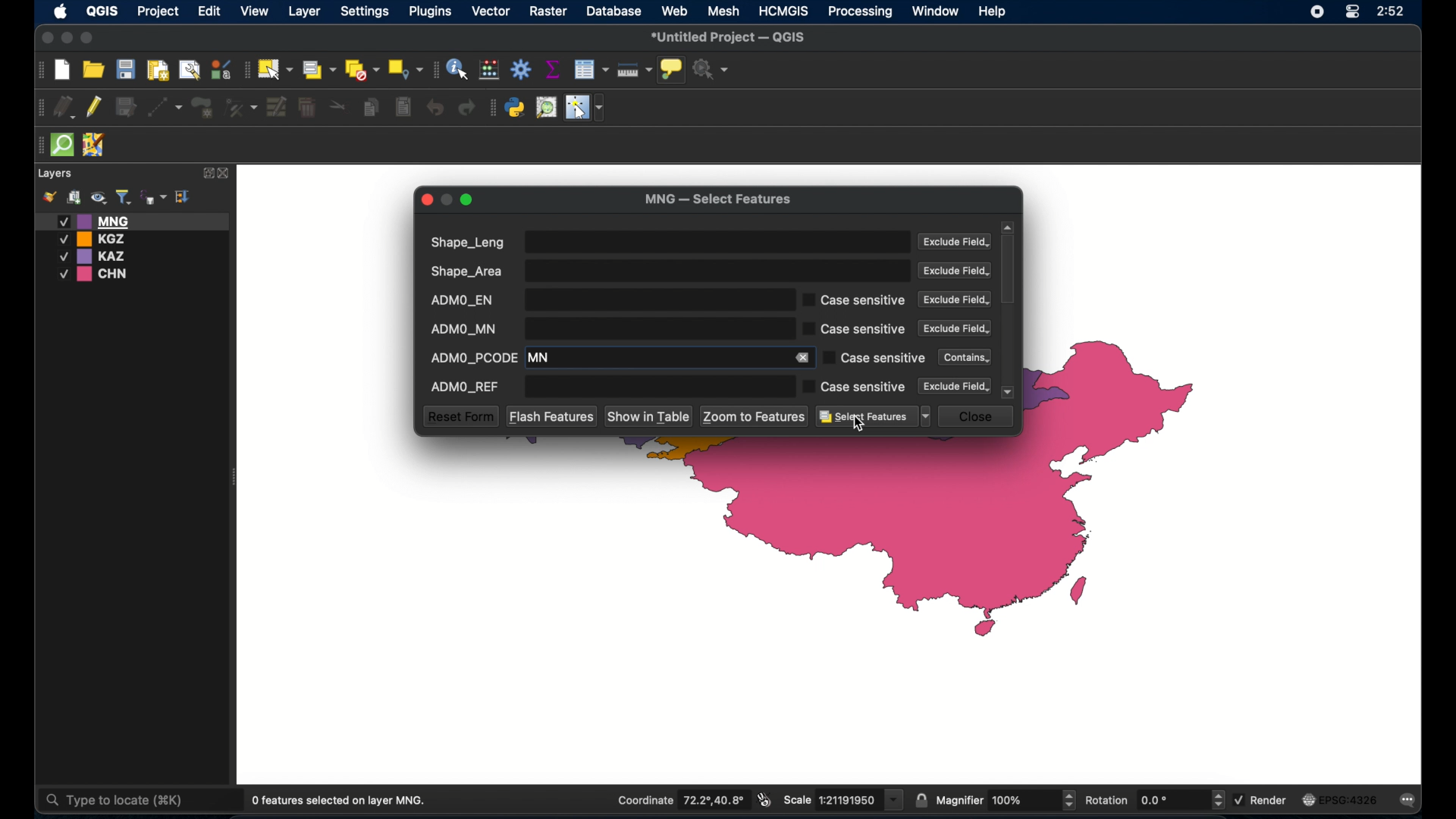 The width and height of the screenshot is (1456, 819). Describe the element at coordinates (338, 108) in the screenshot. I see `split features` at that location.